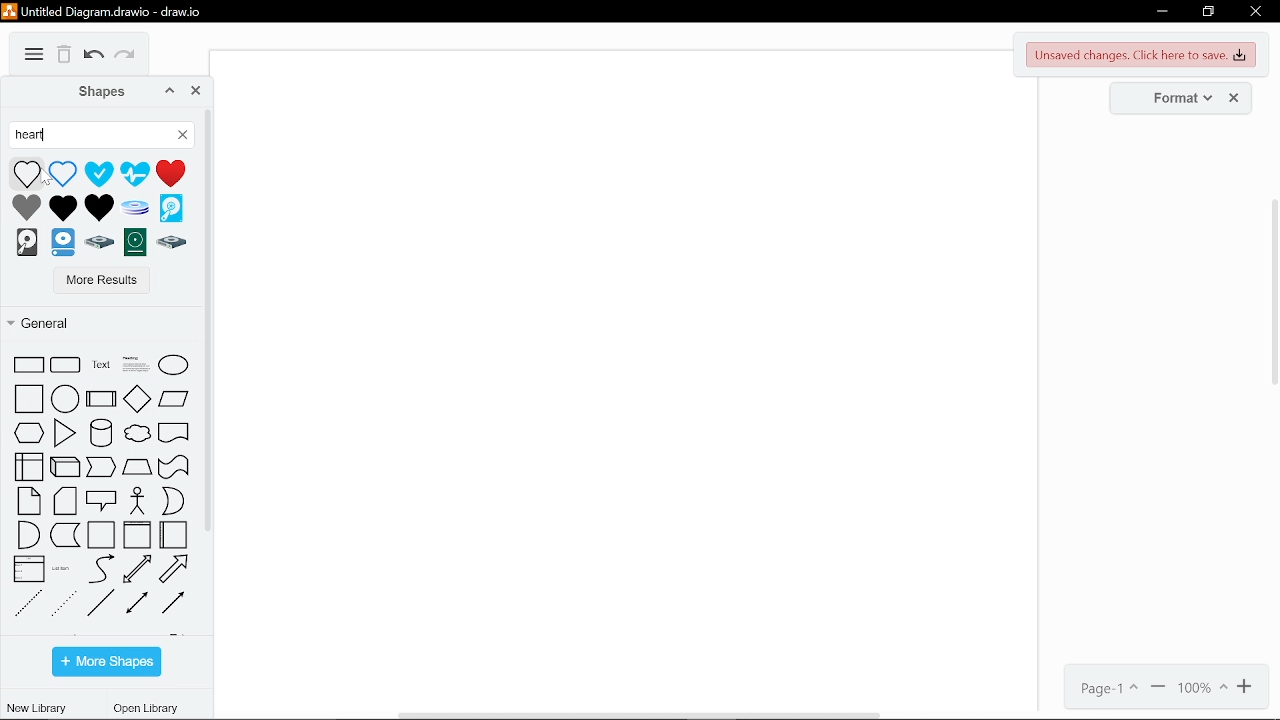 Image resolution: width=1280 pixels, height=720 pixels. Describe the element at coordinates (34, 55) in the screenshot. I see `diagram` at that location.